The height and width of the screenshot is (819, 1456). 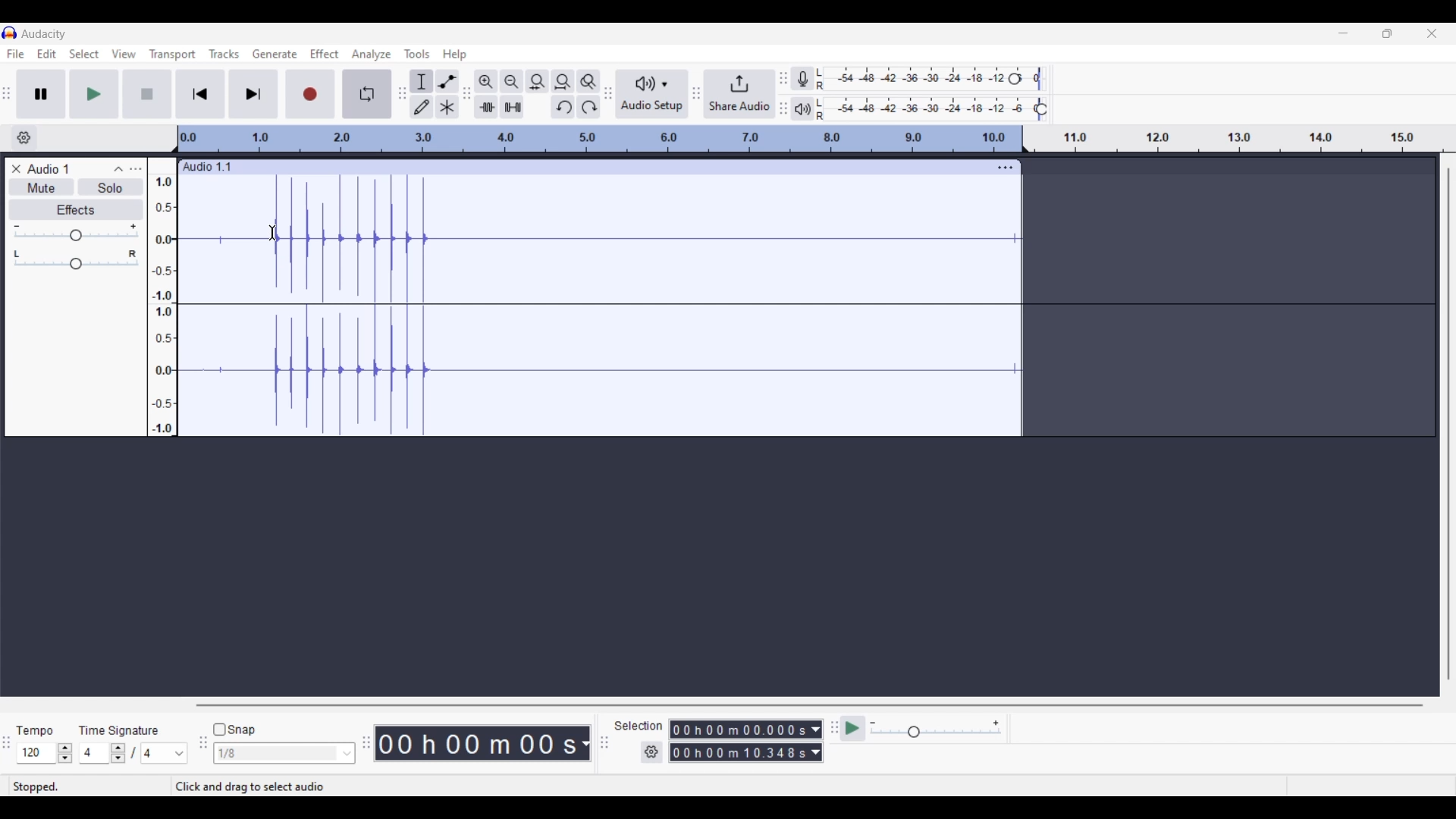 What do you see at coordinates (1432, 33) in the screenshot?
I see `Close interface` at bounding box center [1432, 33].